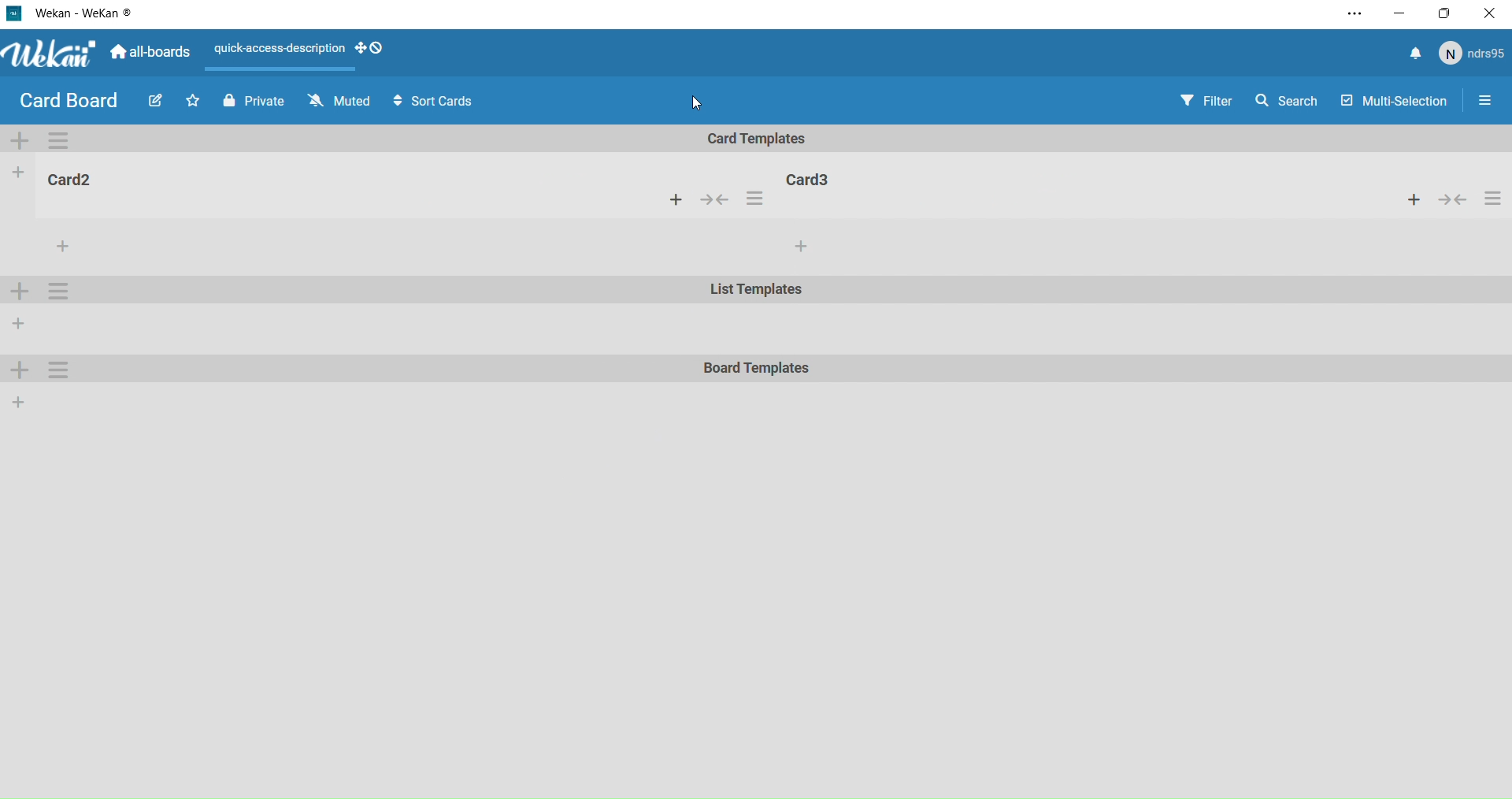 Image resolution: width=1512 pixels, height=799 pixels. I want to click on Box, so click(1447, 13).